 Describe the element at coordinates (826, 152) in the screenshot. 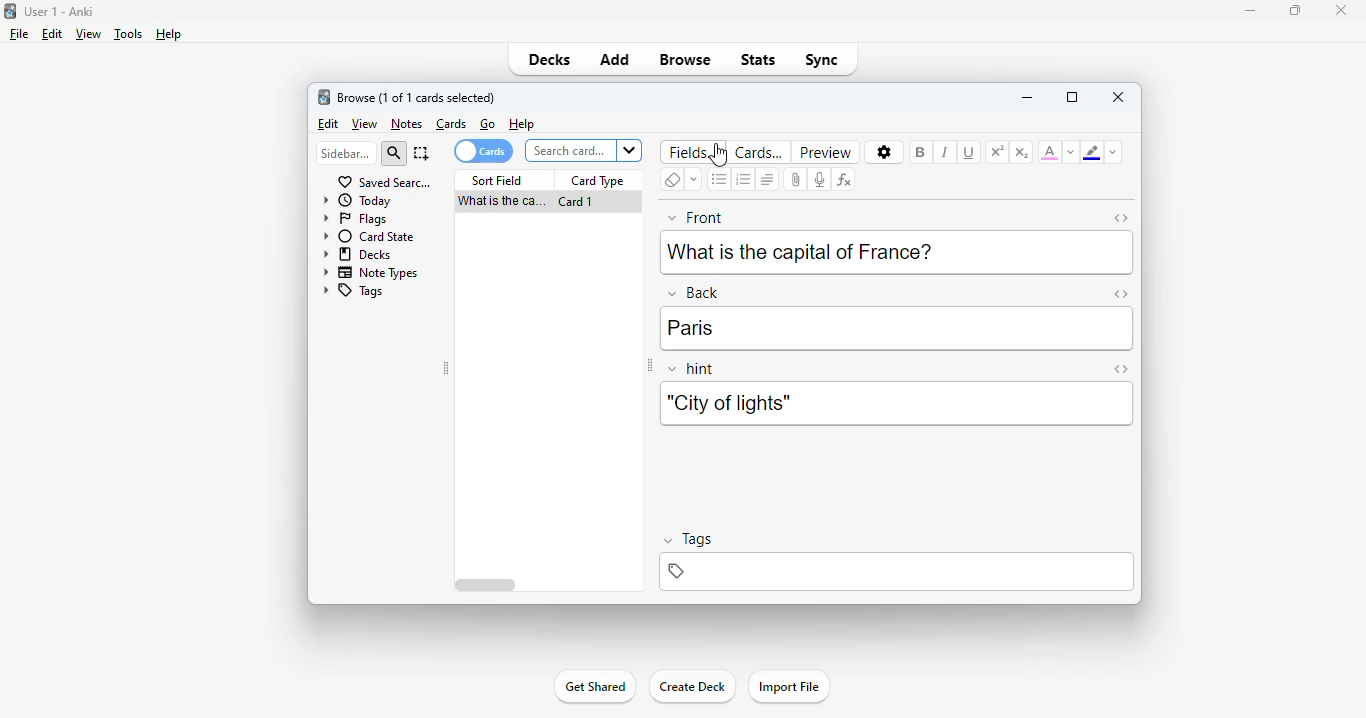

I see `preview` at that location.